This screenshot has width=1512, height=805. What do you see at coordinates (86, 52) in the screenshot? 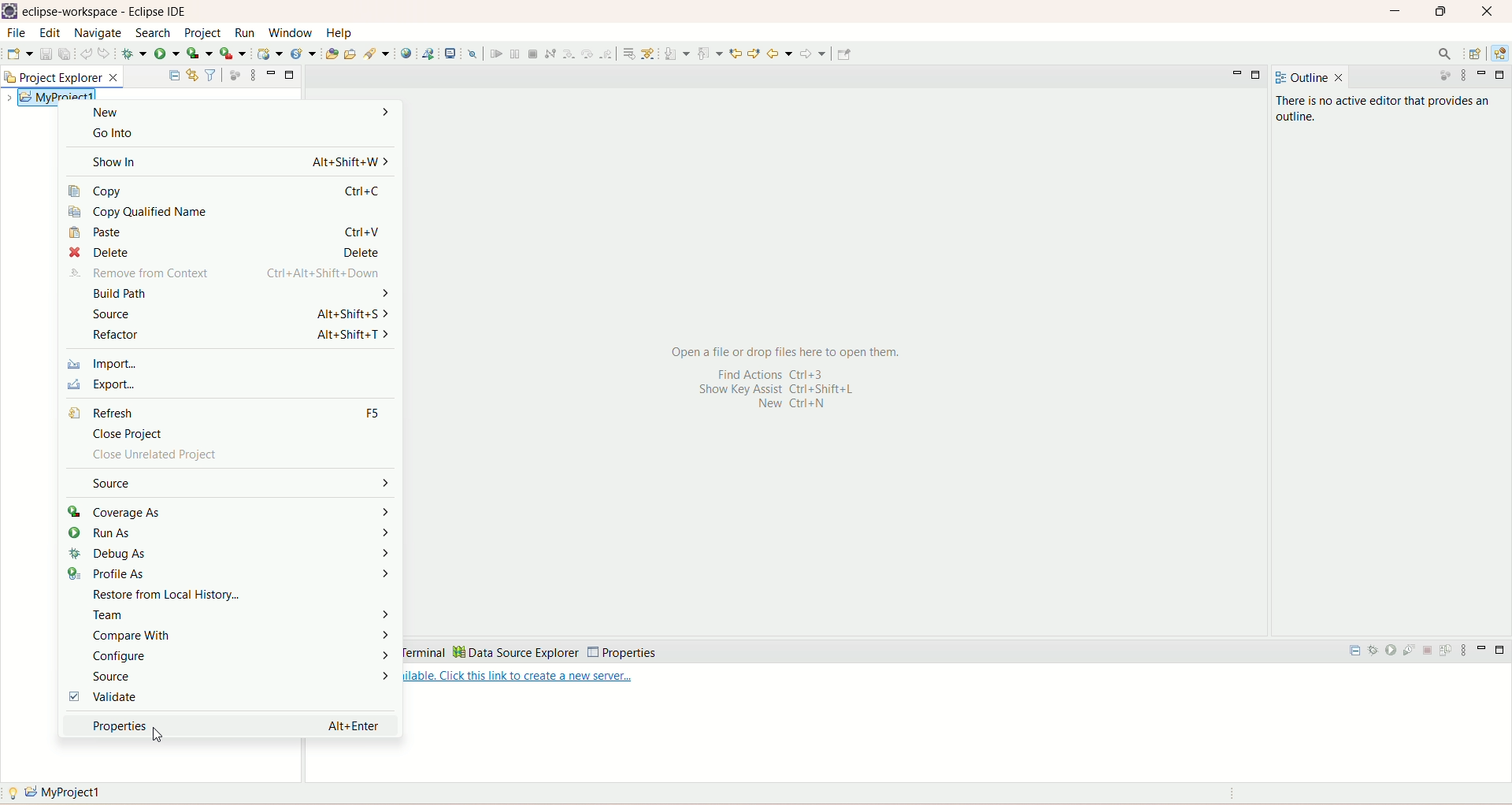
I see `undo` at bounding box center [86, 52].